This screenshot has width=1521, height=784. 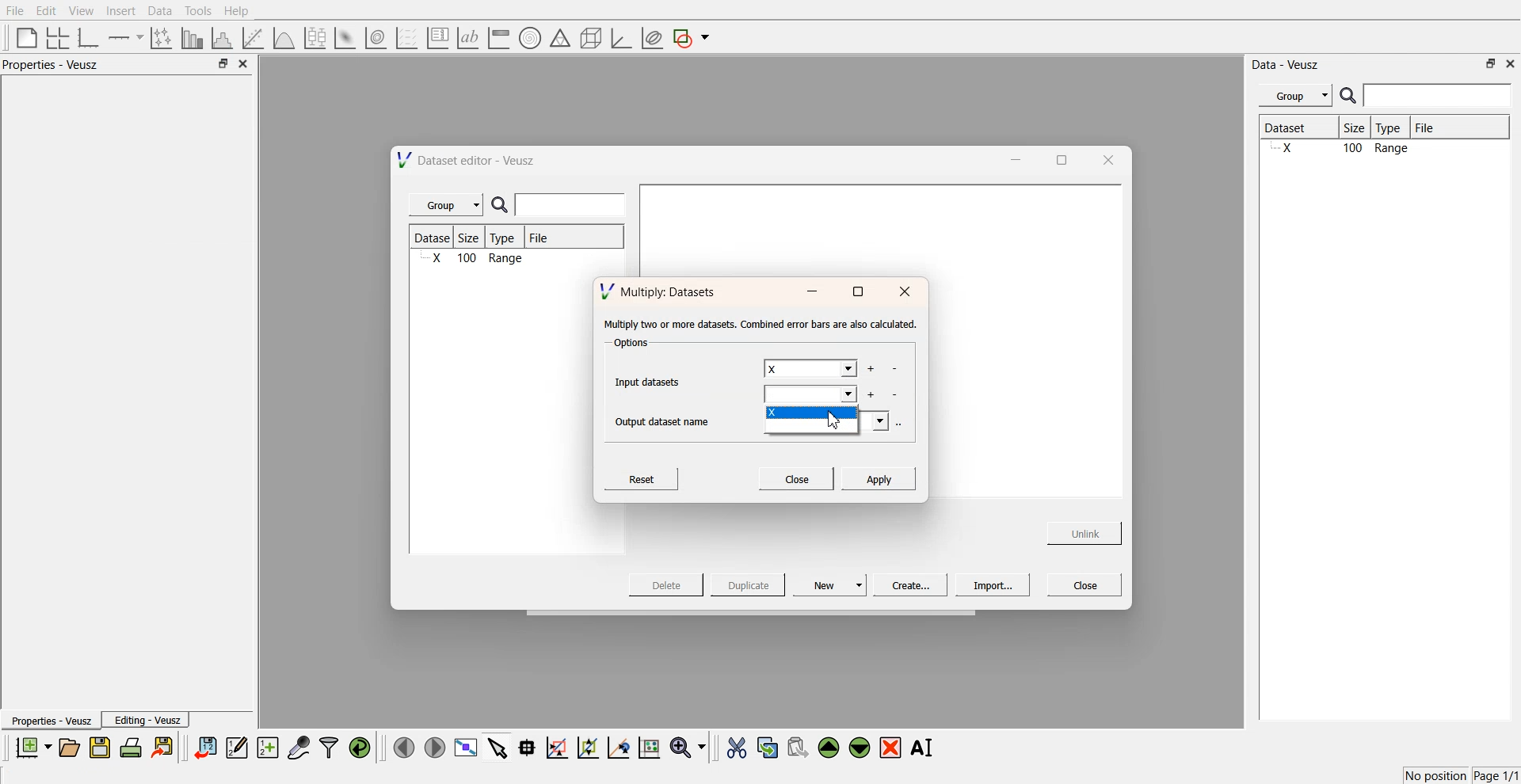 I want to click on Size, so click(x=474, y=238).